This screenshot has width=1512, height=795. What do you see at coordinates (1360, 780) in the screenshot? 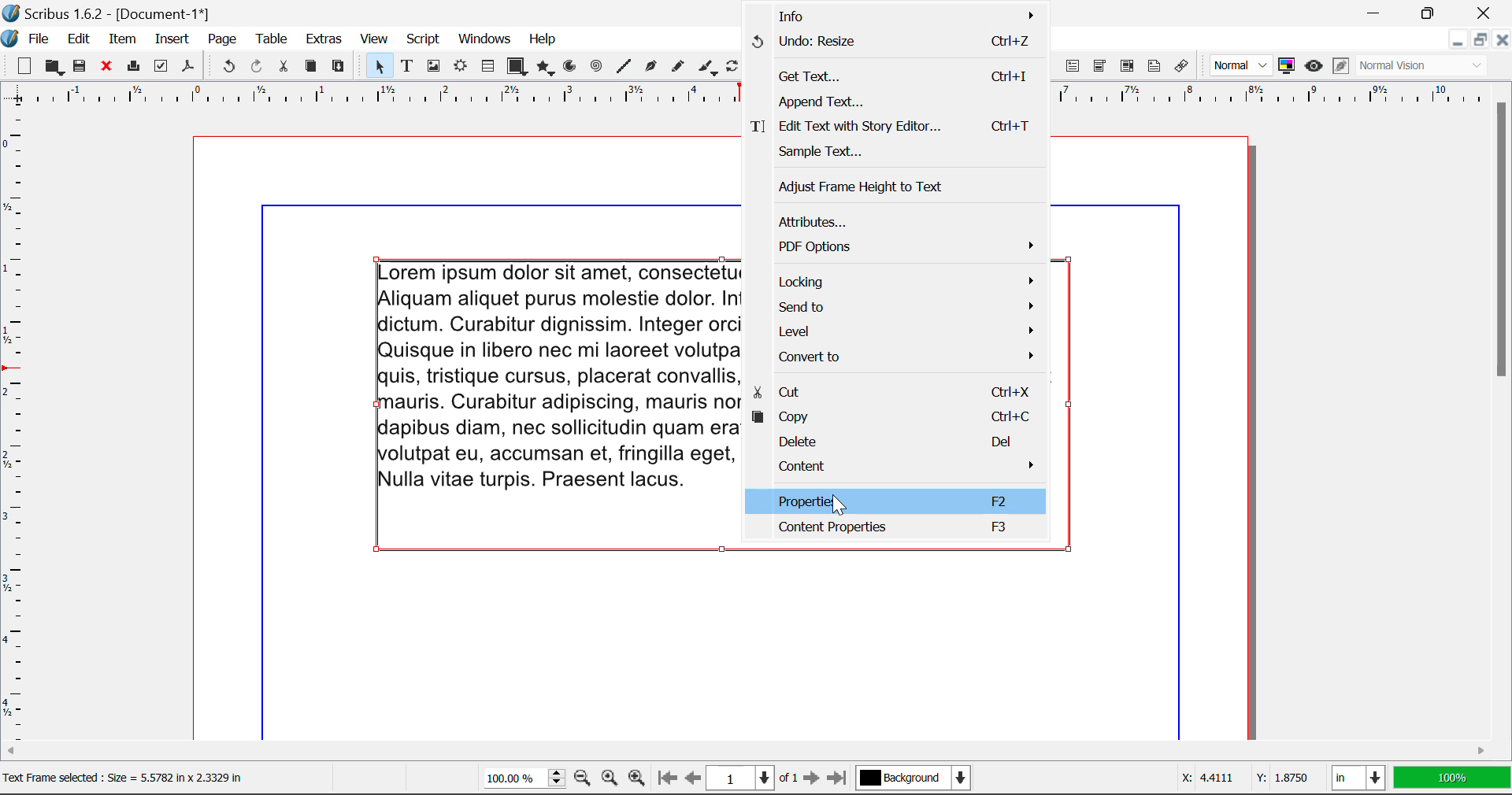
I see `Measurement Units` at bounding box center [1360, 780].